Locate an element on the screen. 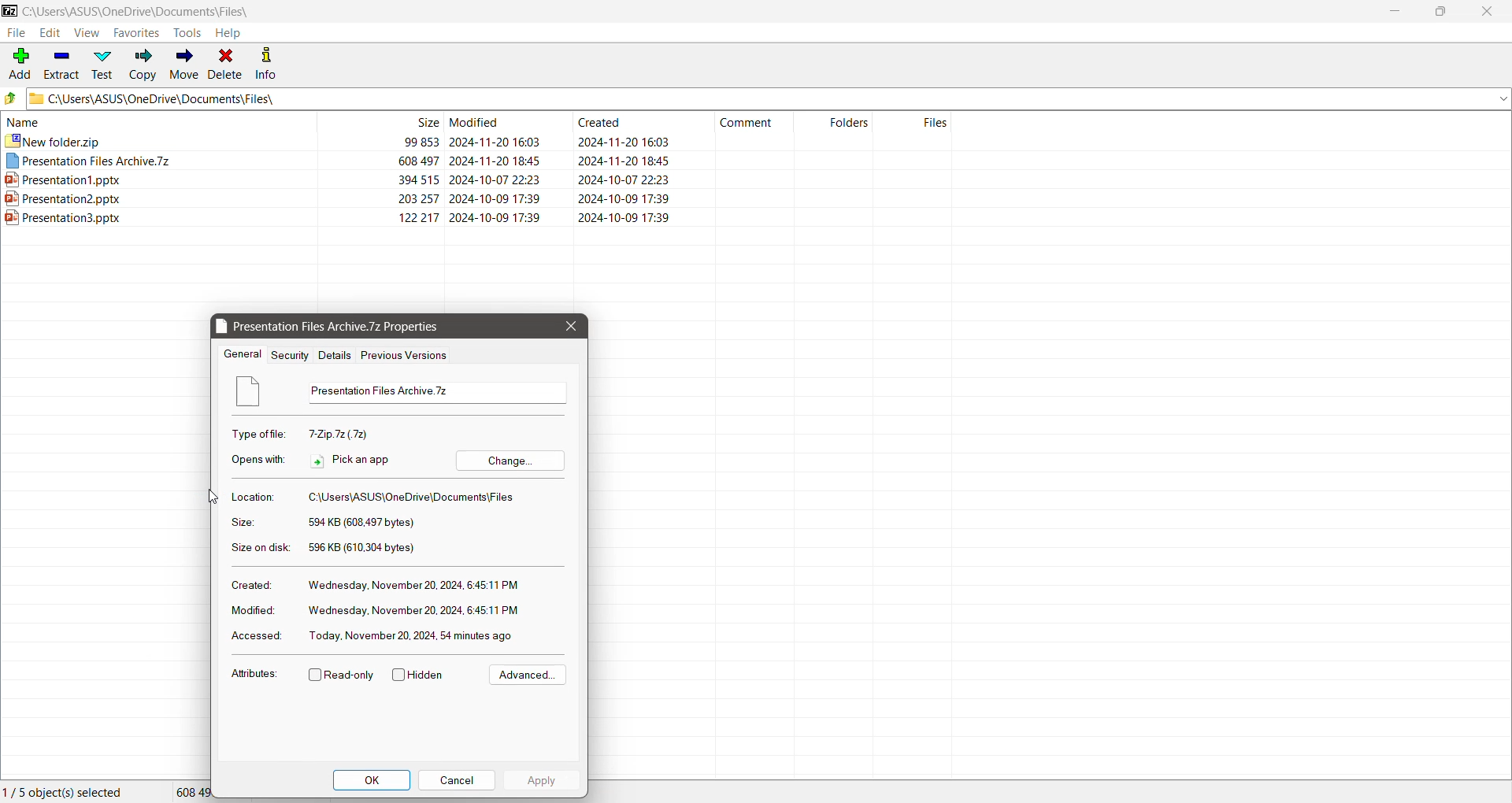 Image resolution: width=1512 pixels, height=803 pixels. 60849 is located at coordinates (193, 790).